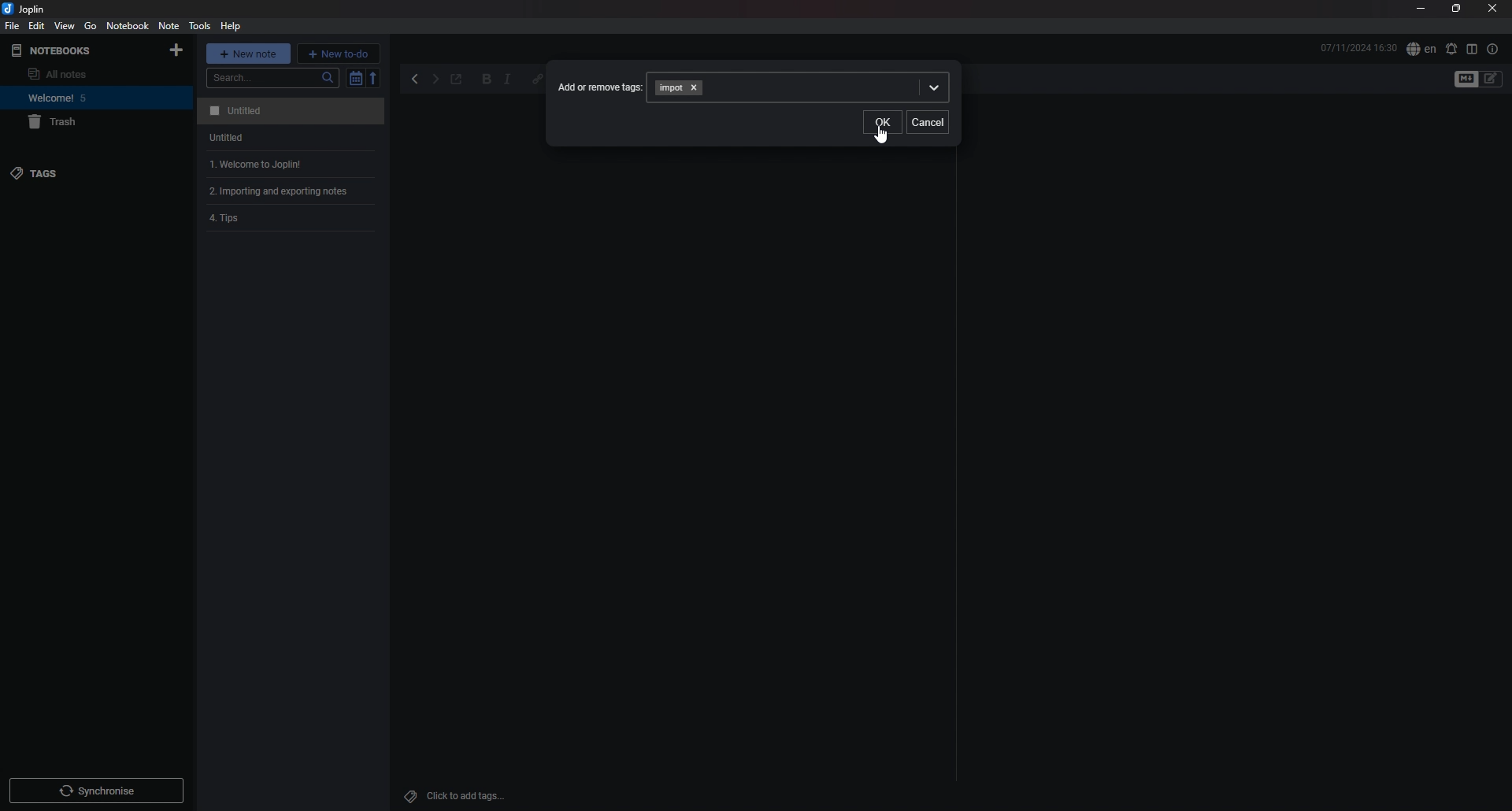 This screenshot has width=1512, height=811. I want to click on toggle editor layout, so click(1472, 49).